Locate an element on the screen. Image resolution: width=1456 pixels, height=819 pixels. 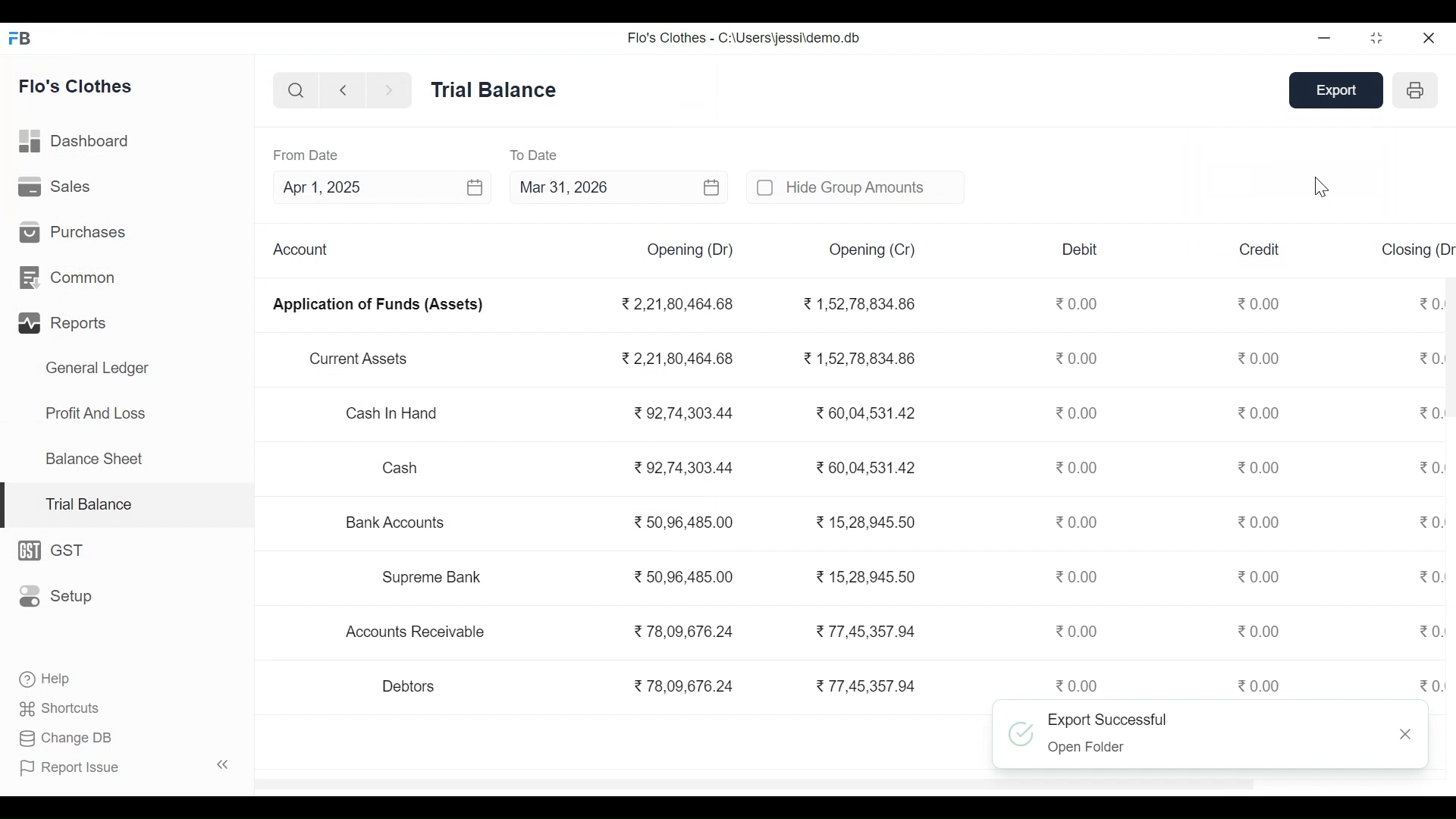
0.00 is located at coordinates (1078, 467).